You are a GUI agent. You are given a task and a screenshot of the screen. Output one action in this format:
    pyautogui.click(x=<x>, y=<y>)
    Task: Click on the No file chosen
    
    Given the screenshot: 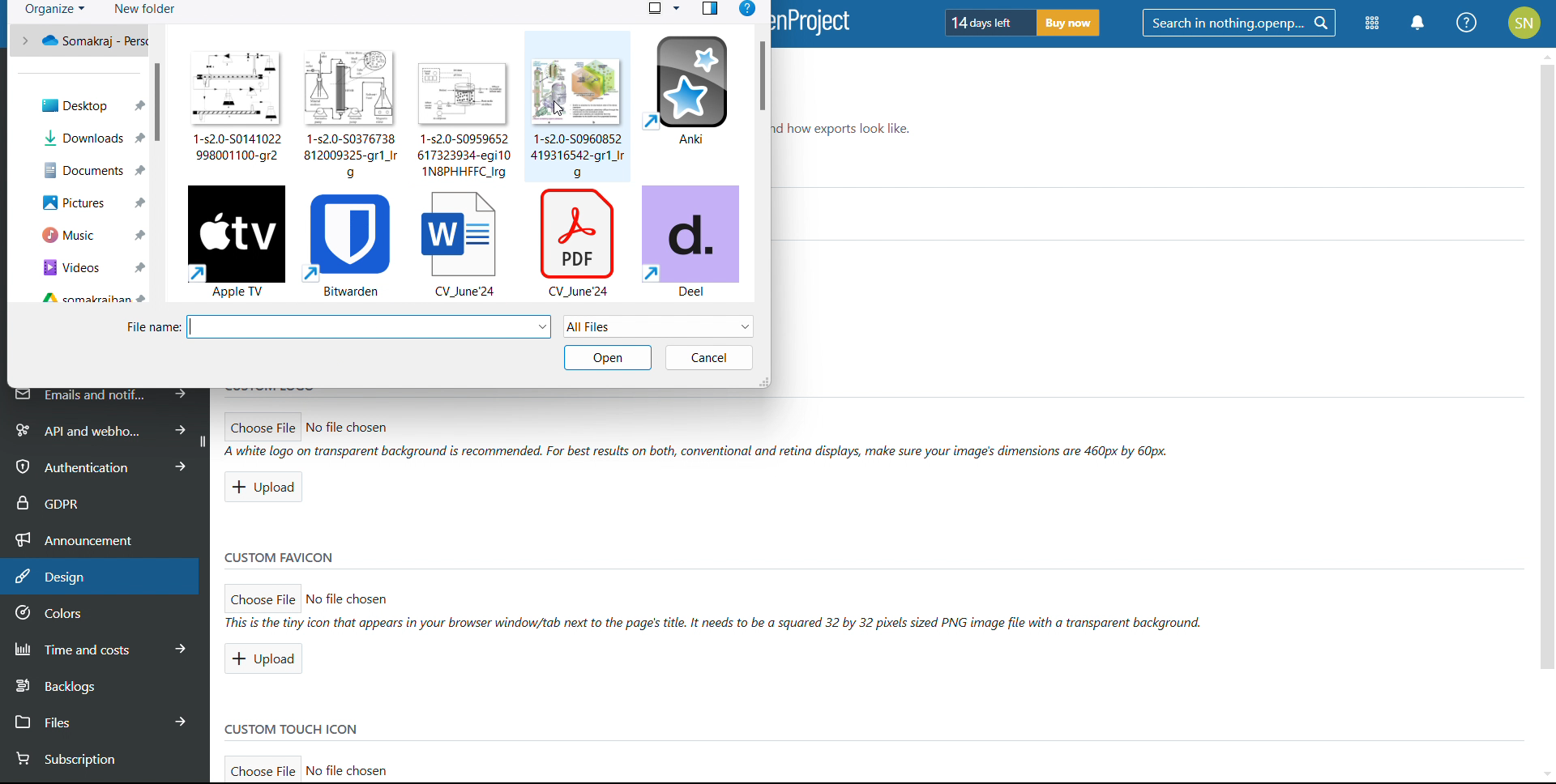 What is the action you would take?
    pyautogui.click(x=358, y=768)
    